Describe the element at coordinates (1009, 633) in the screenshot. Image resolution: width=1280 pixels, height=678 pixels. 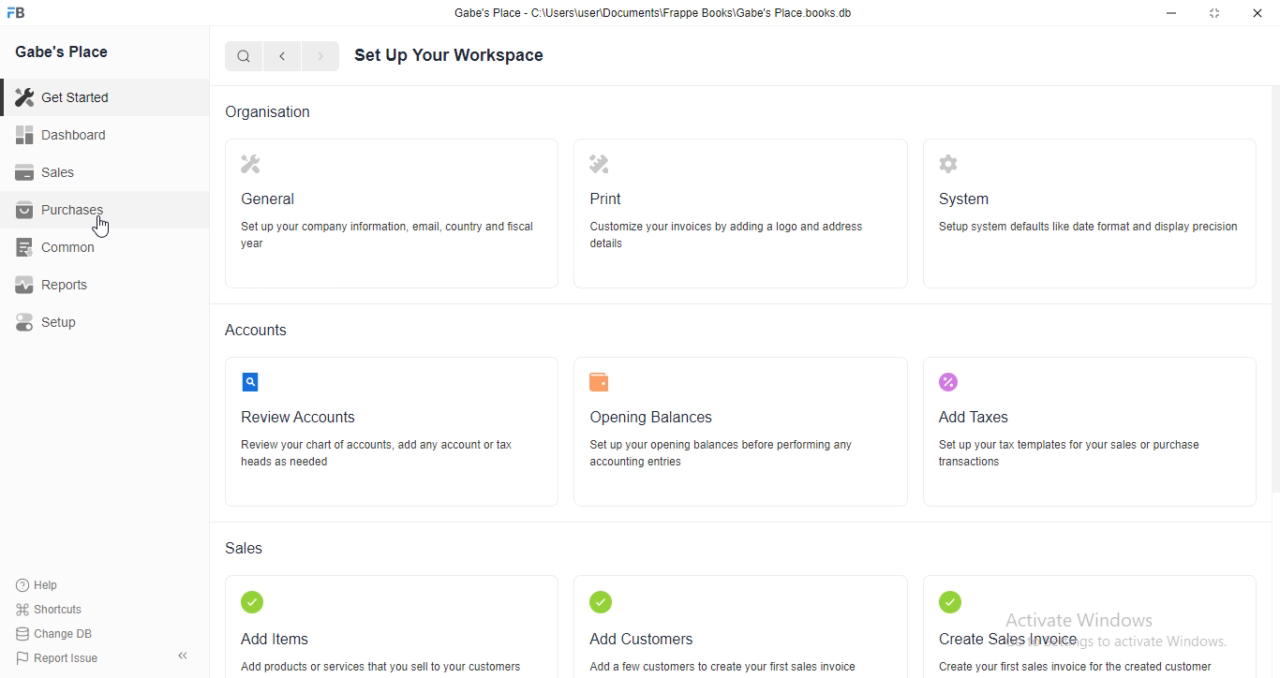
I see `Create Sales Invoice.` at that location.